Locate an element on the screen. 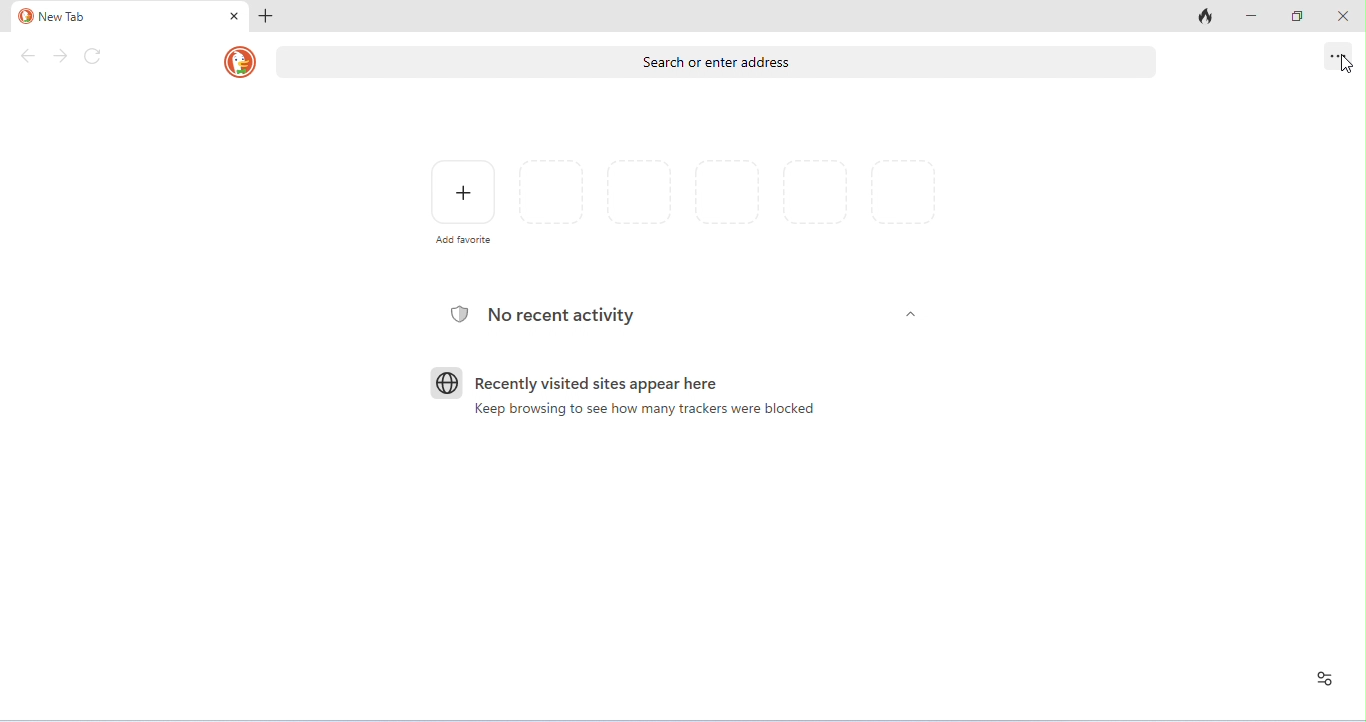 Image resolution: width=1366 pixels, height=722 pixels. recent activity and favorites is located at coordinates (1323, 680).